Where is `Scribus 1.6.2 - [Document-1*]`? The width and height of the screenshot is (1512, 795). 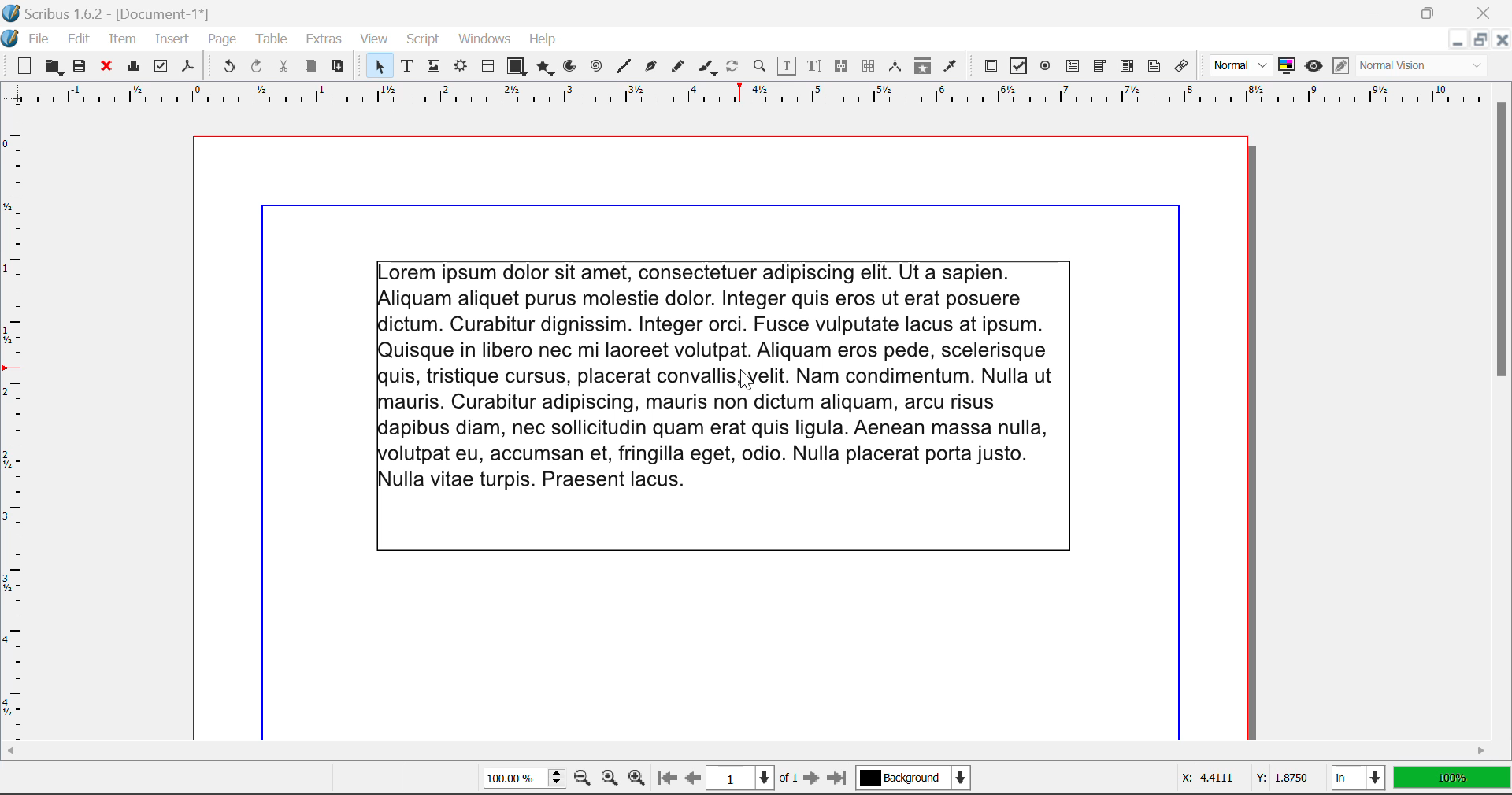 Scribus 1.6.2 - [Document-1*] is located at coordinates (105, 13).